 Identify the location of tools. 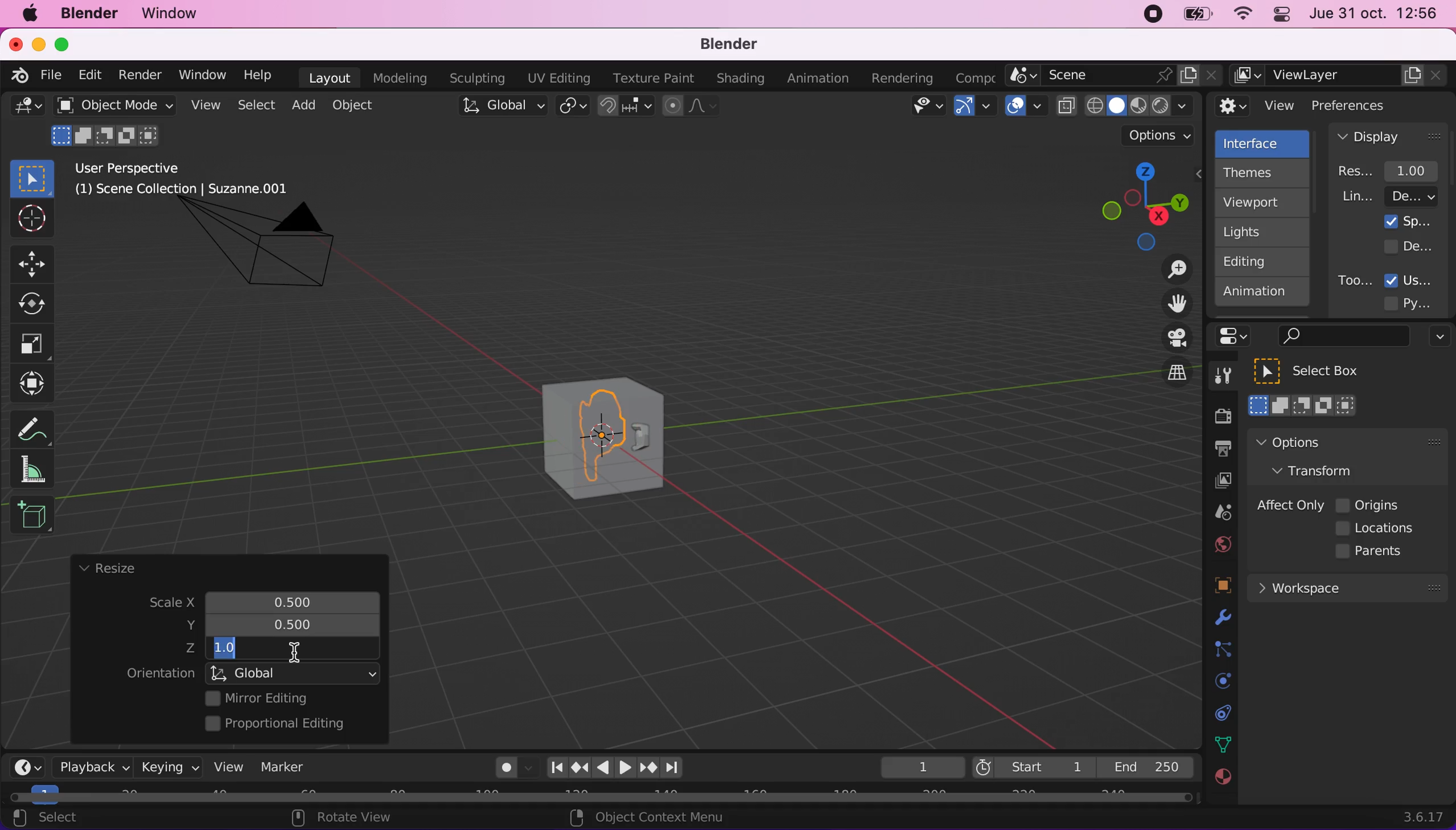
(1217, 379).